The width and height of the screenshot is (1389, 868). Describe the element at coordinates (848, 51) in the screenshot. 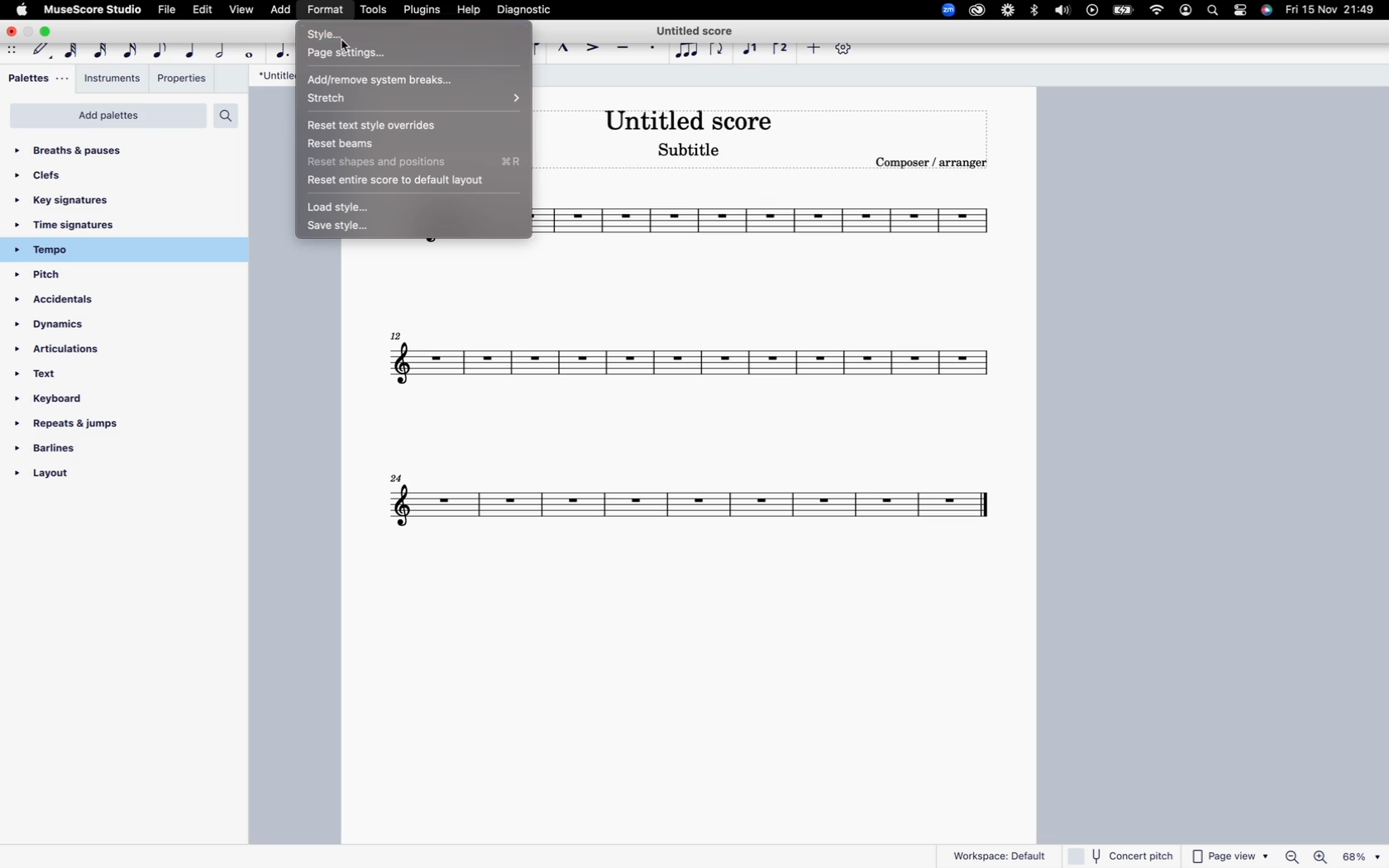

I see `settings` at that location.